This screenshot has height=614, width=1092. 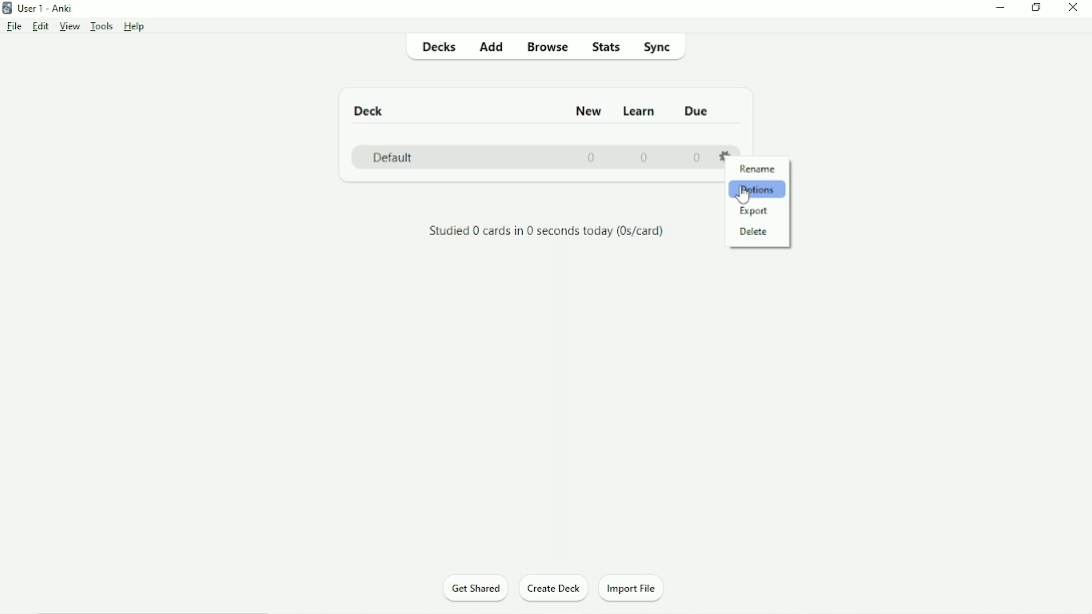 What do you see at coordinates (70, 27) in the screenshot?
I see `View` at bounding box center [70, 27].